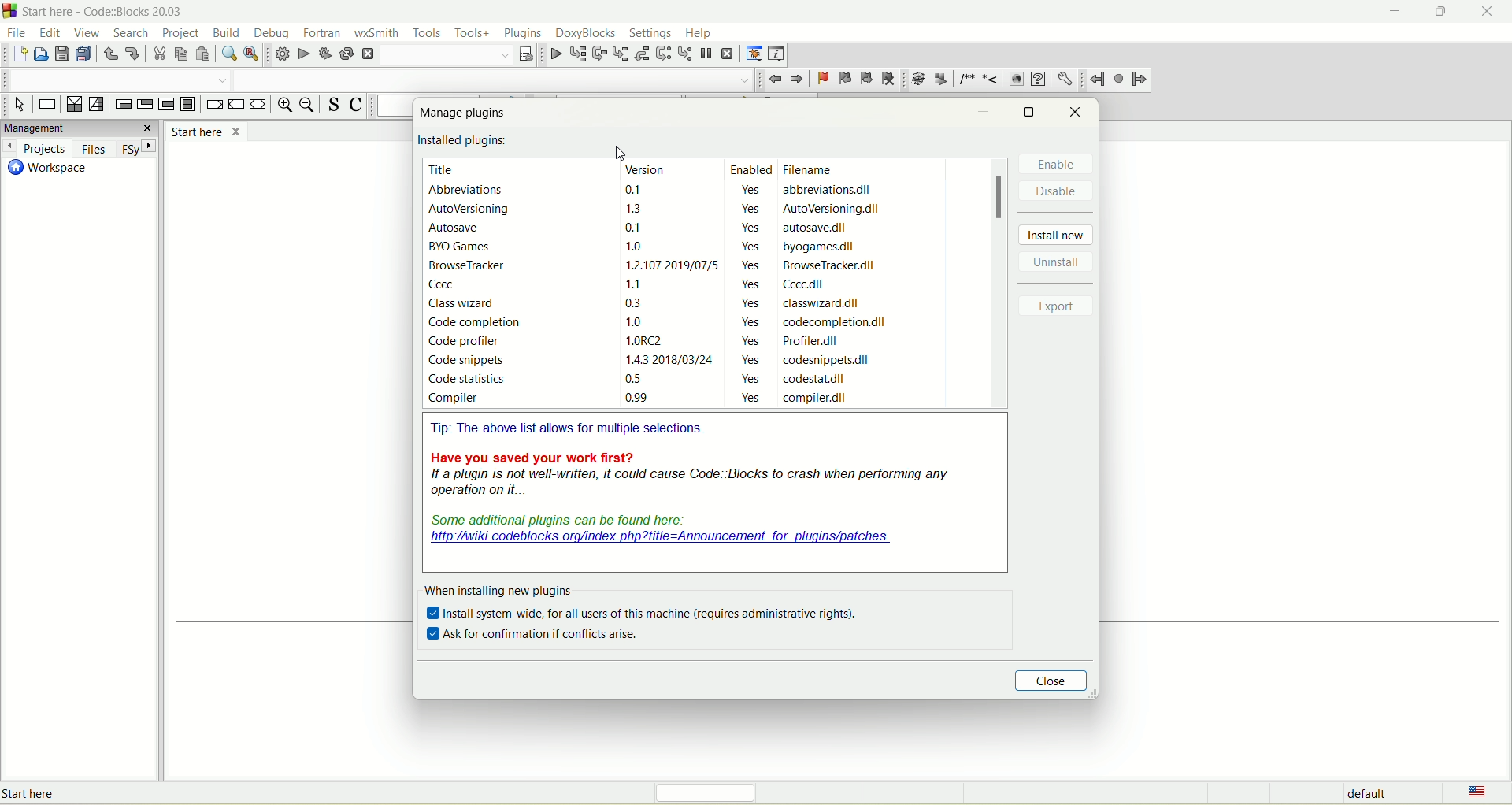  Describe the element at coordinates (1028, 112) in the screenshot. I see `maximize` at that location.